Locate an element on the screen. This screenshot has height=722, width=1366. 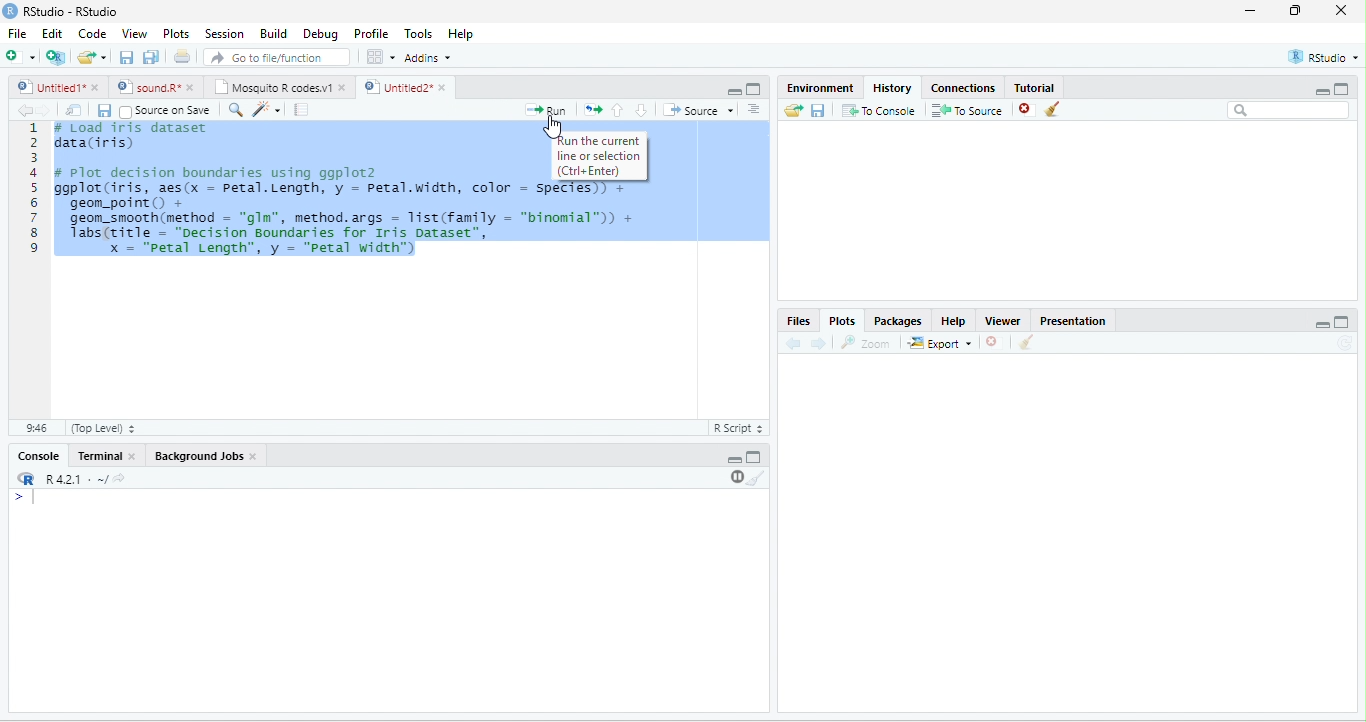
R.4.2.1 .~/ is located at coordinates (71, 480).